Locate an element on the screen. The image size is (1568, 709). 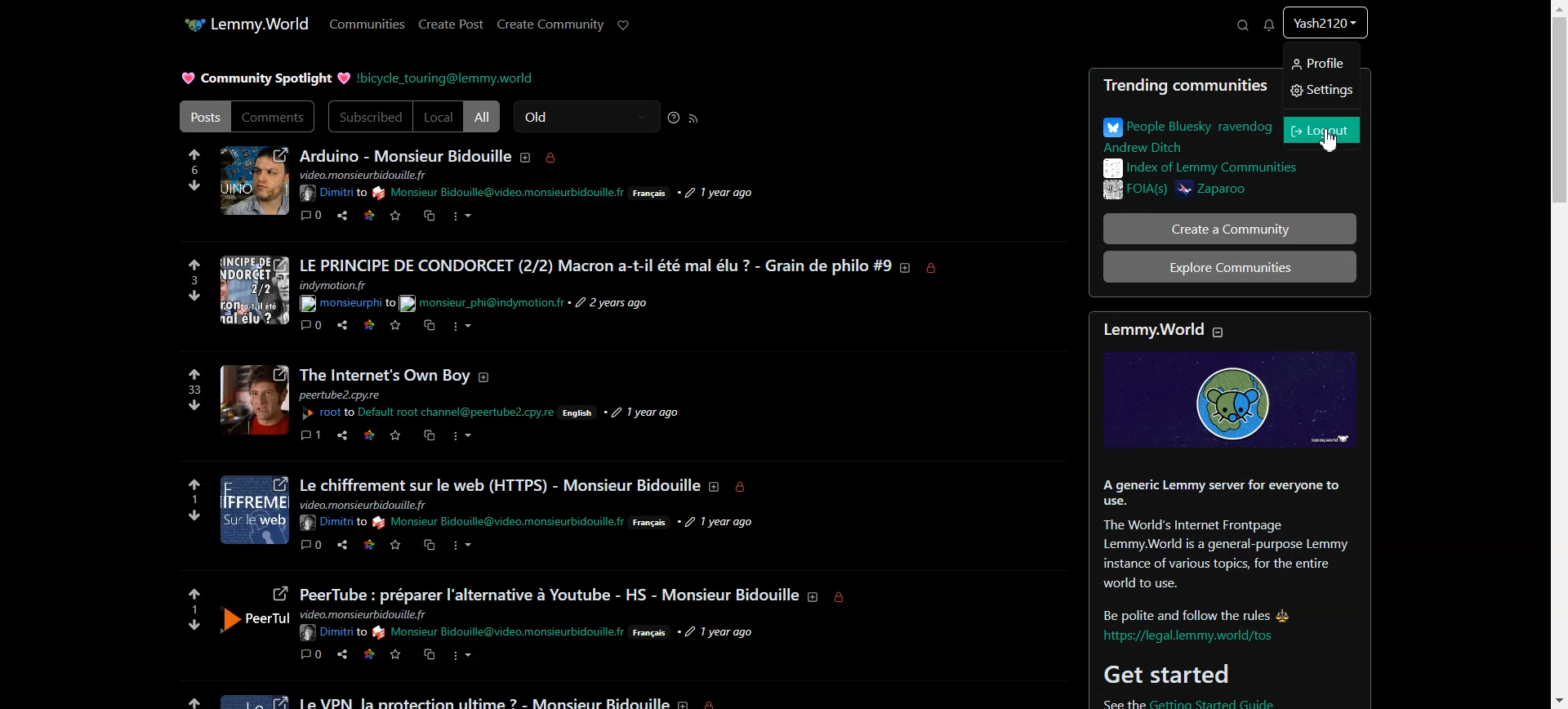
link is located at coordinates (371, 546).